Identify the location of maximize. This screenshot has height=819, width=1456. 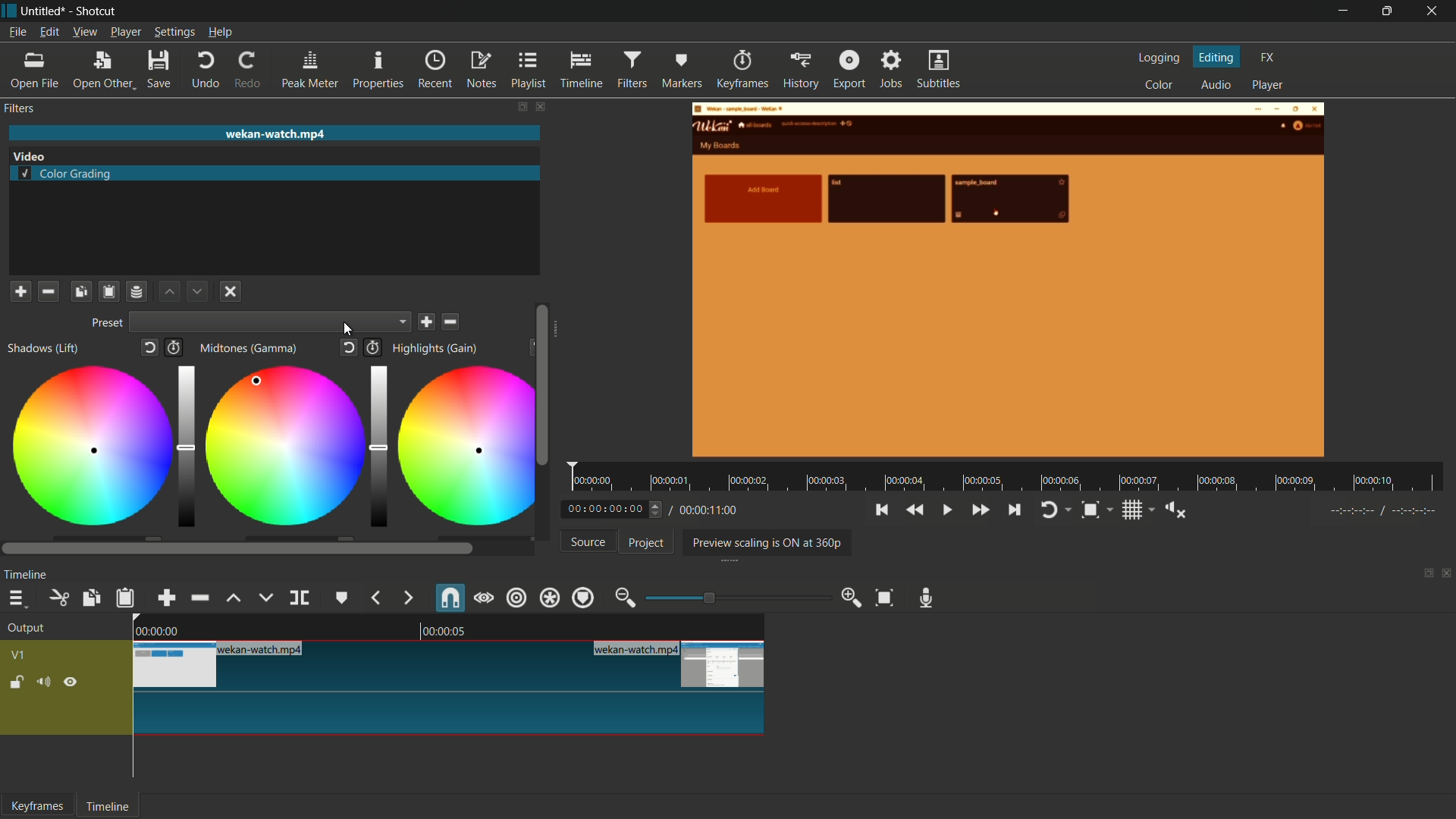
(1389, 11).